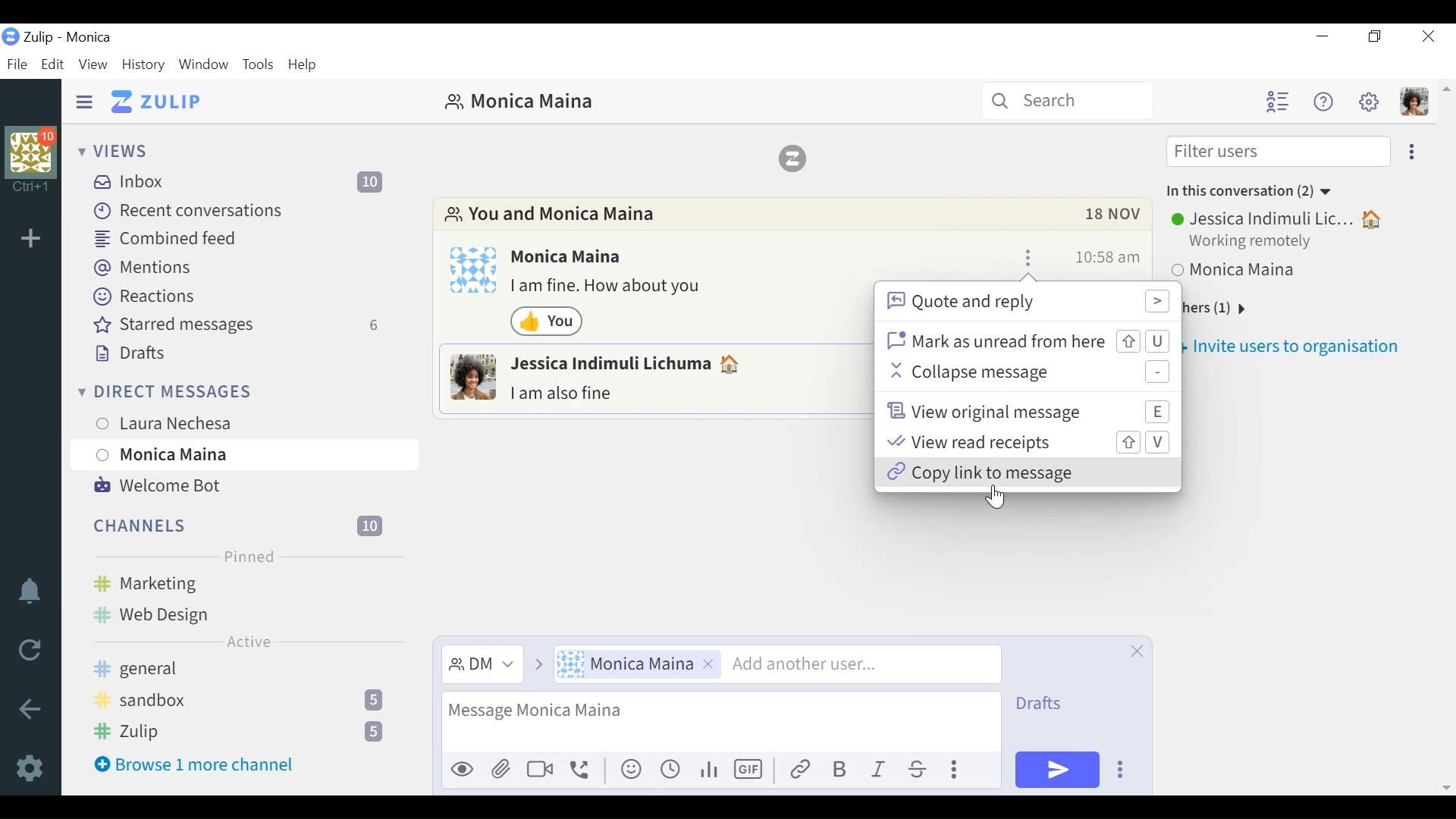 This screenshot has width=1456, height=819. What do you see at coordinates (629, 364) in the screenshot?
I see `Jessica Indimuli Lichuma` at bounding box center [629, 364].